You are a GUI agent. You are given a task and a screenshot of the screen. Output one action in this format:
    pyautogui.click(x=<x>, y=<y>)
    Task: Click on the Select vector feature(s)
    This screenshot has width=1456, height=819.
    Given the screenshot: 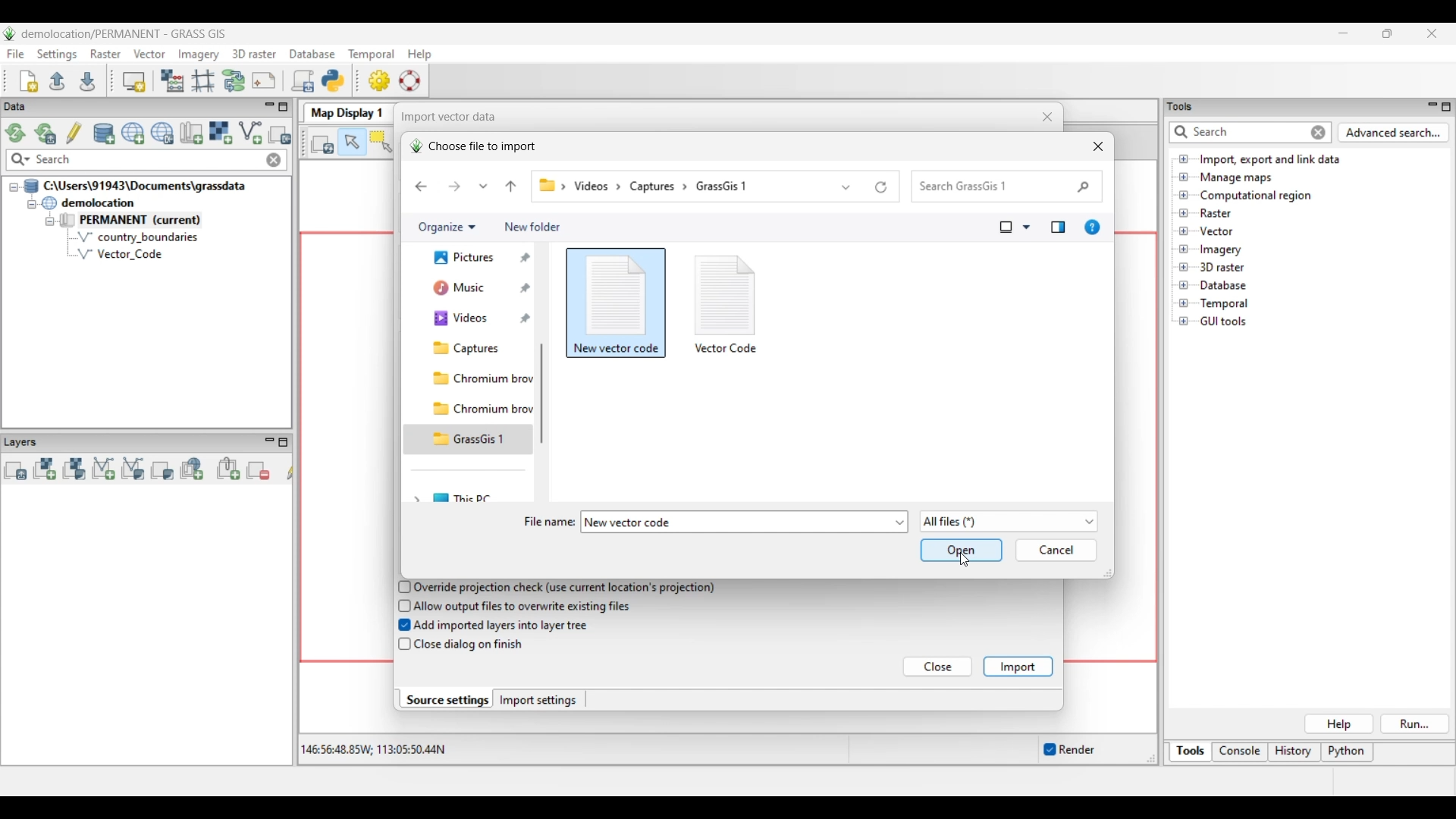 What is the action you would take?
    pyautogui.click(x=381, y=143)
    